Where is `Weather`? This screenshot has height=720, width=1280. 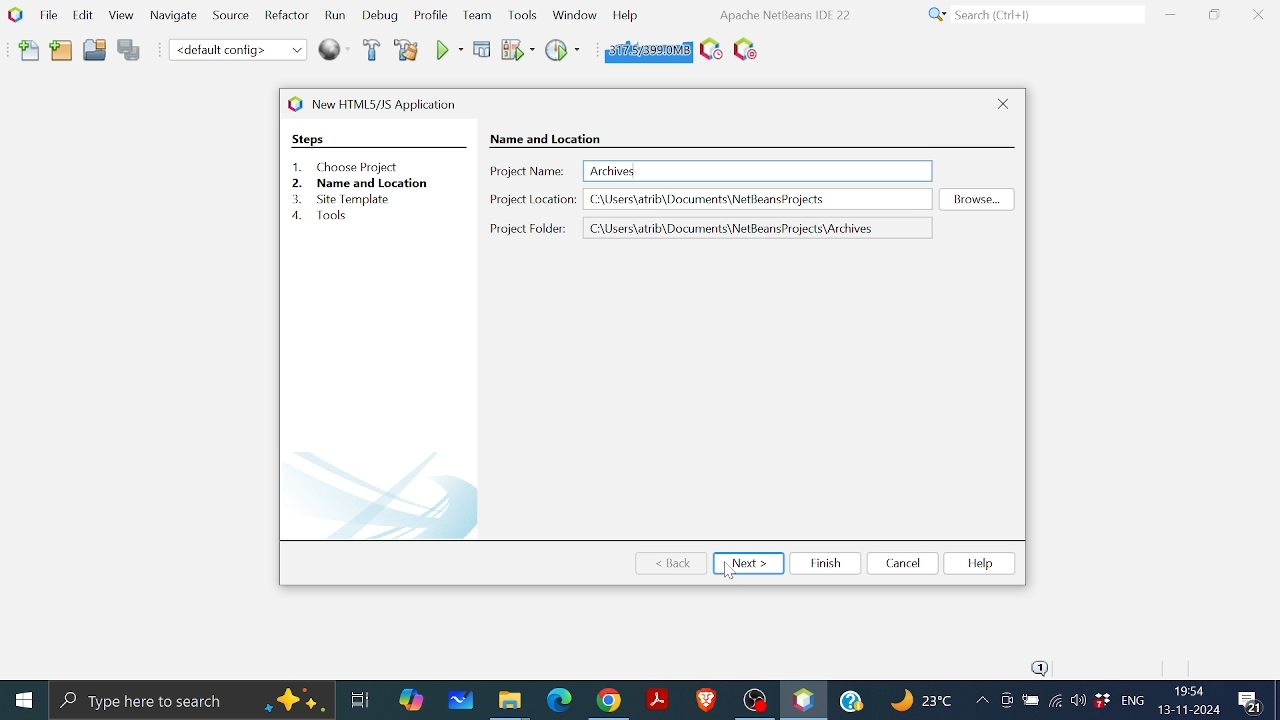
Weather is located at coordinates (924, 703).